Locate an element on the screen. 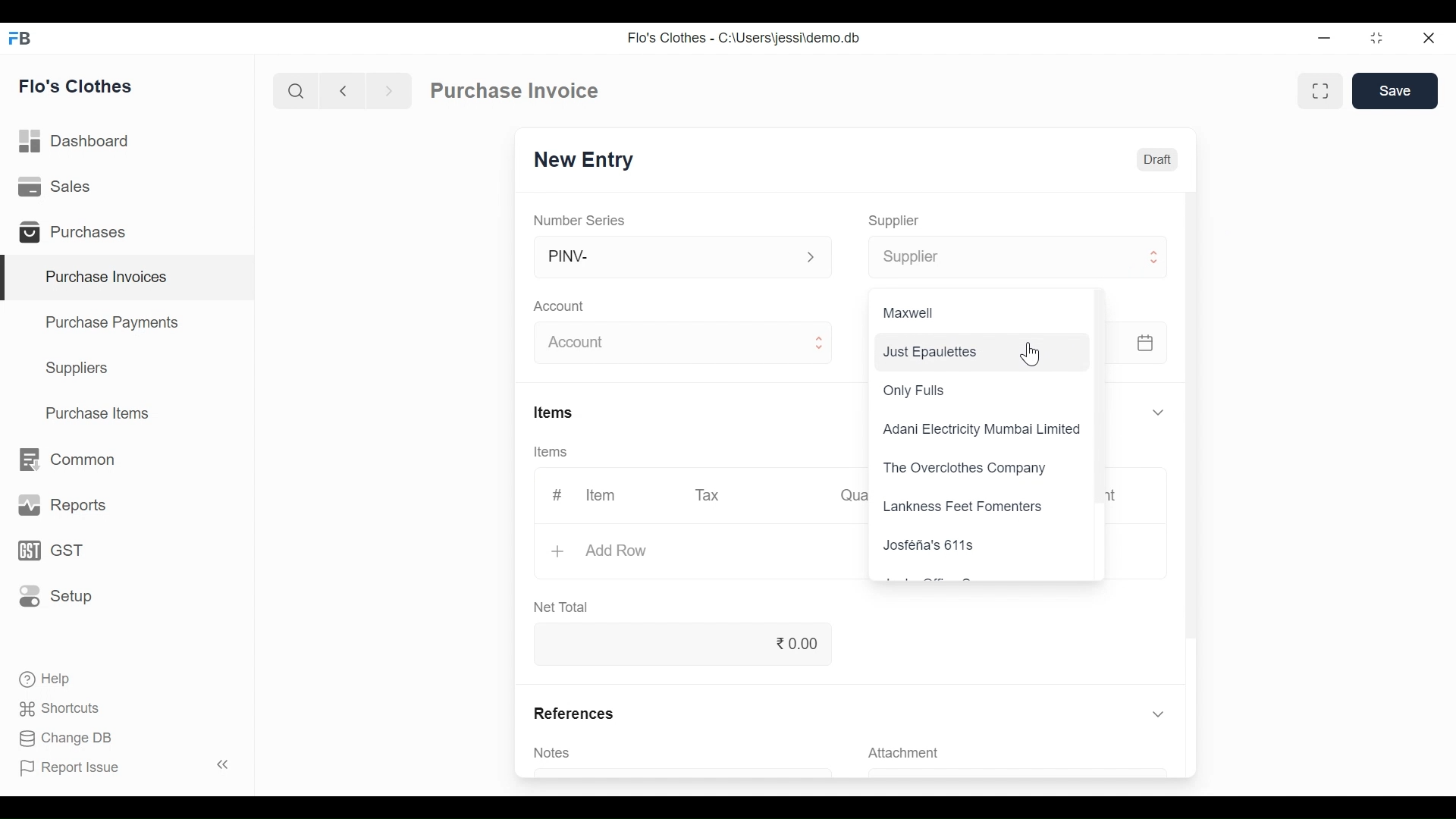  0.00 is located at coordinates (679, 643).